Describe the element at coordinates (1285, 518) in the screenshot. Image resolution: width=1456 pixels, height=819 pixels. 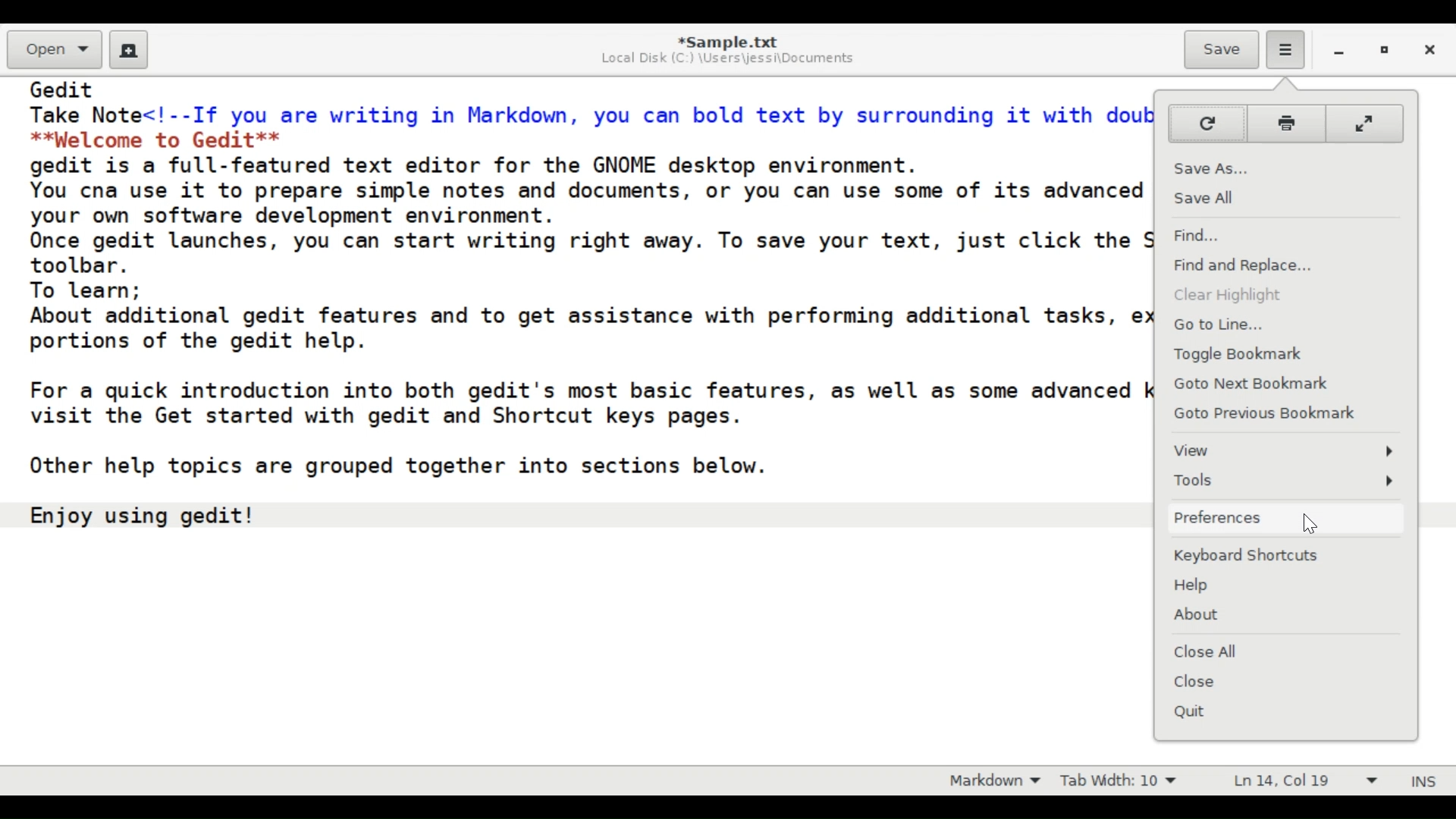
I see `Preferences` at that location.